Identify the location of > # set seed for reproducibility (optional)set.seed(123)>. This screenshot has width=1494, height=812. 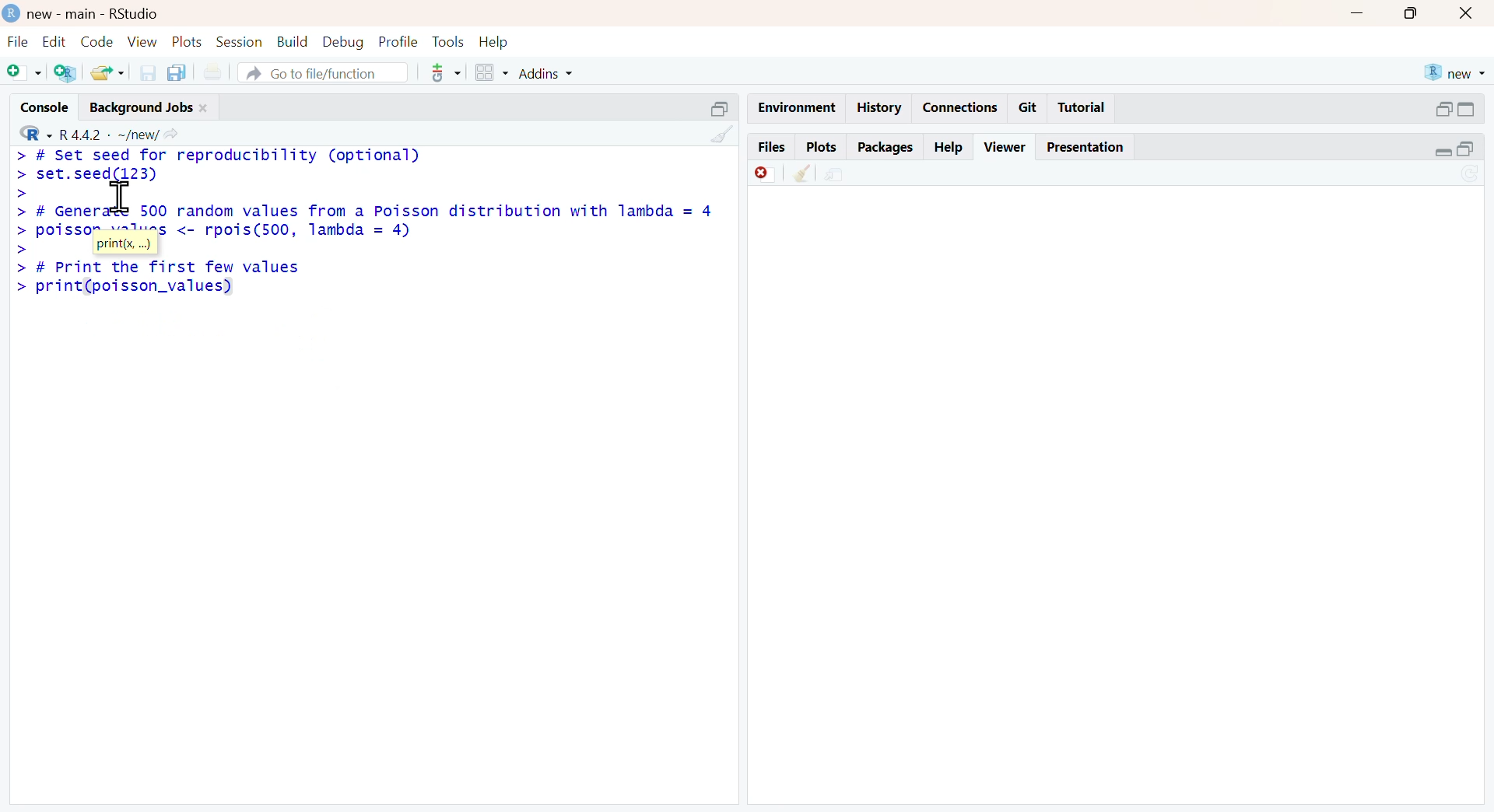
(217, 173).